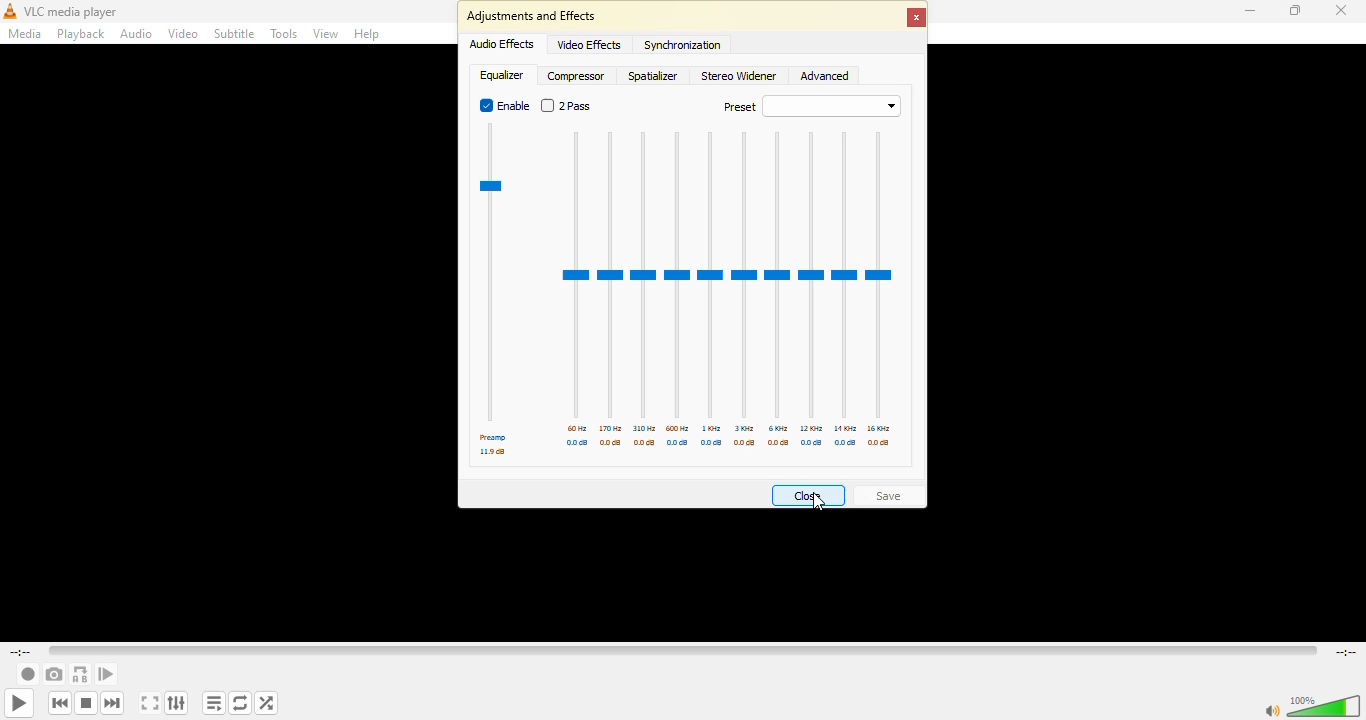  Describe the element at coordinates (1248, 11) in the screenshot. I see `minimize` at that location.